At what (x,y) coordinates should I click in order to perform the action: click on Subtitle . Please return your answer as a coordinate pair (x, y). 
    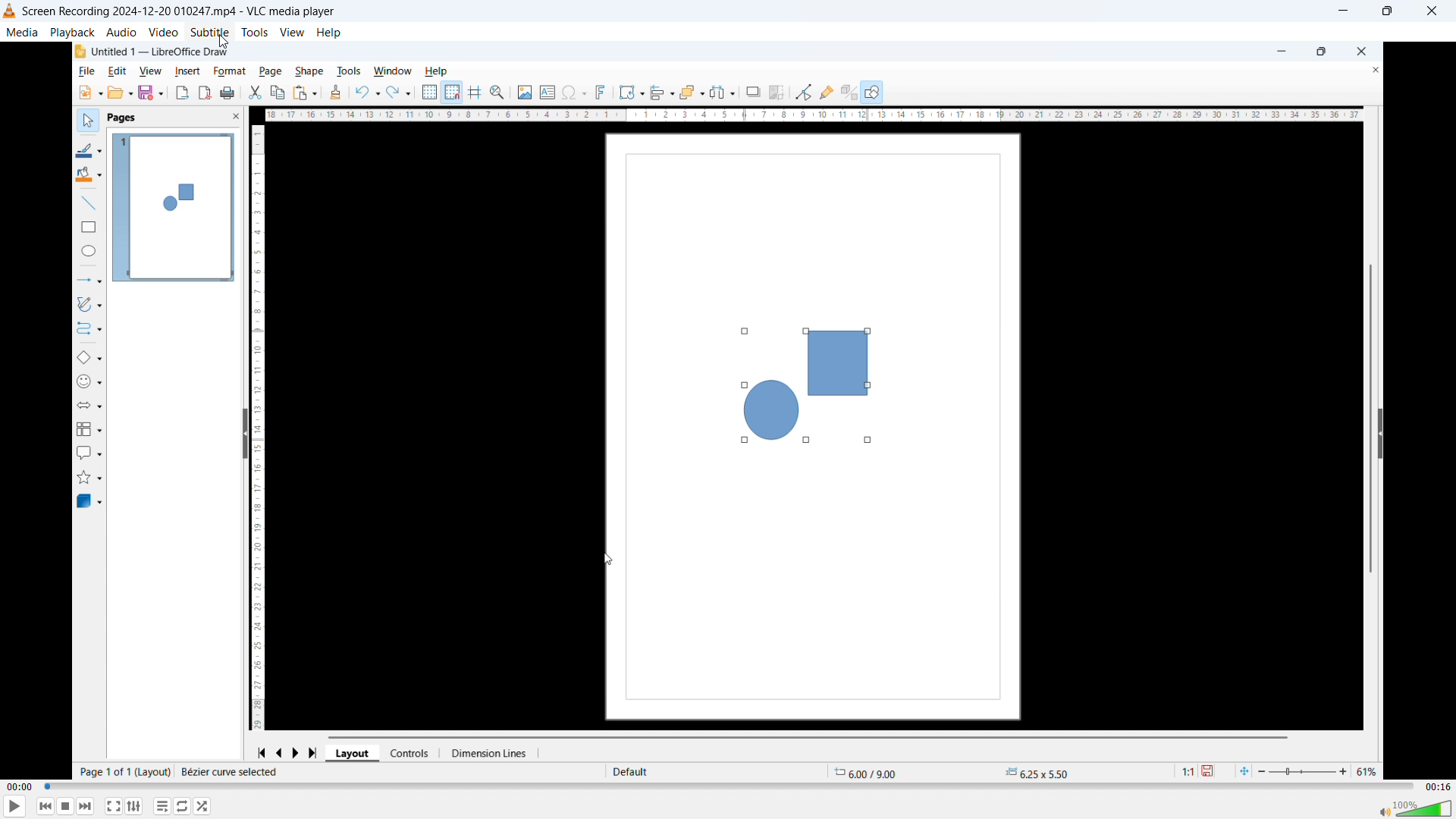
    Looking at the image, I should click on (209, 31).